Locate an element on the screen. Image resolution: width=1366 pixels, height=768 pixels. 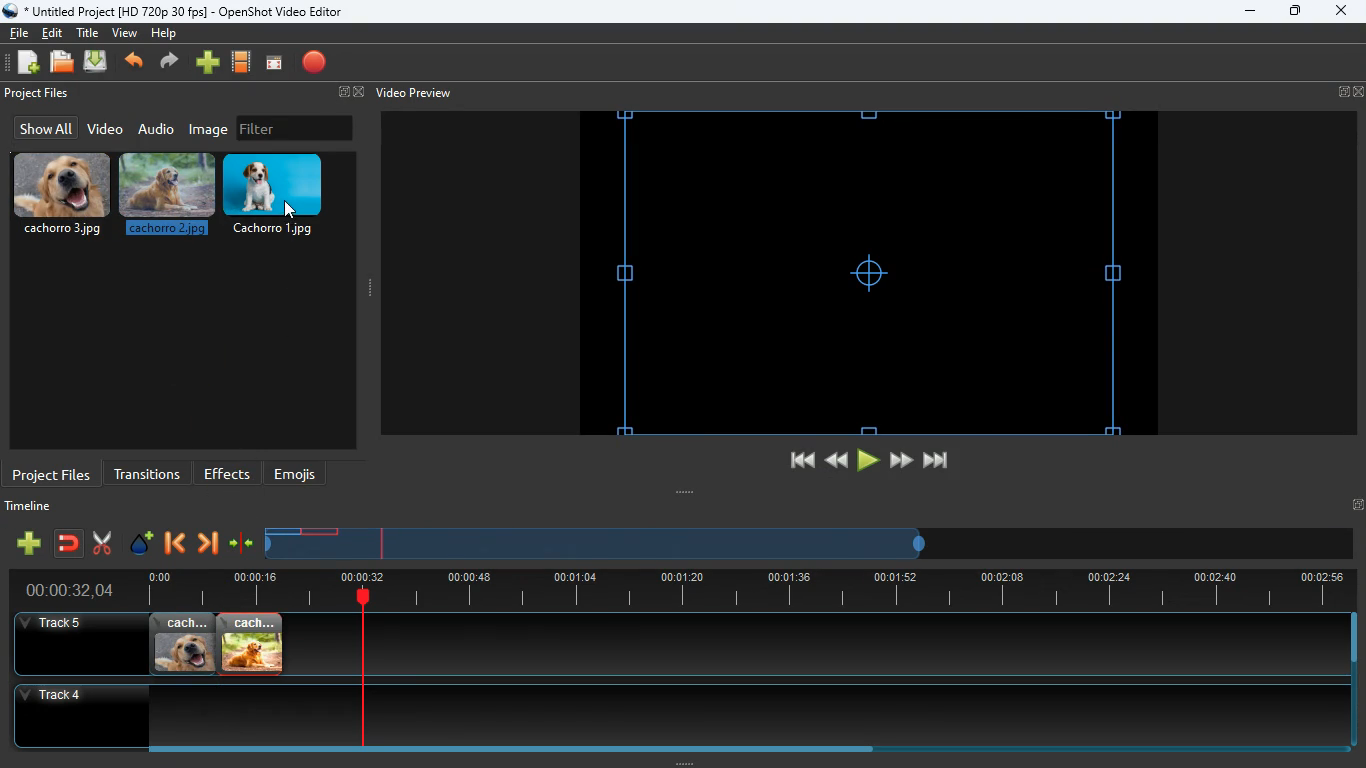
cachorro.2.jpg is located at coordinates (169, 199).